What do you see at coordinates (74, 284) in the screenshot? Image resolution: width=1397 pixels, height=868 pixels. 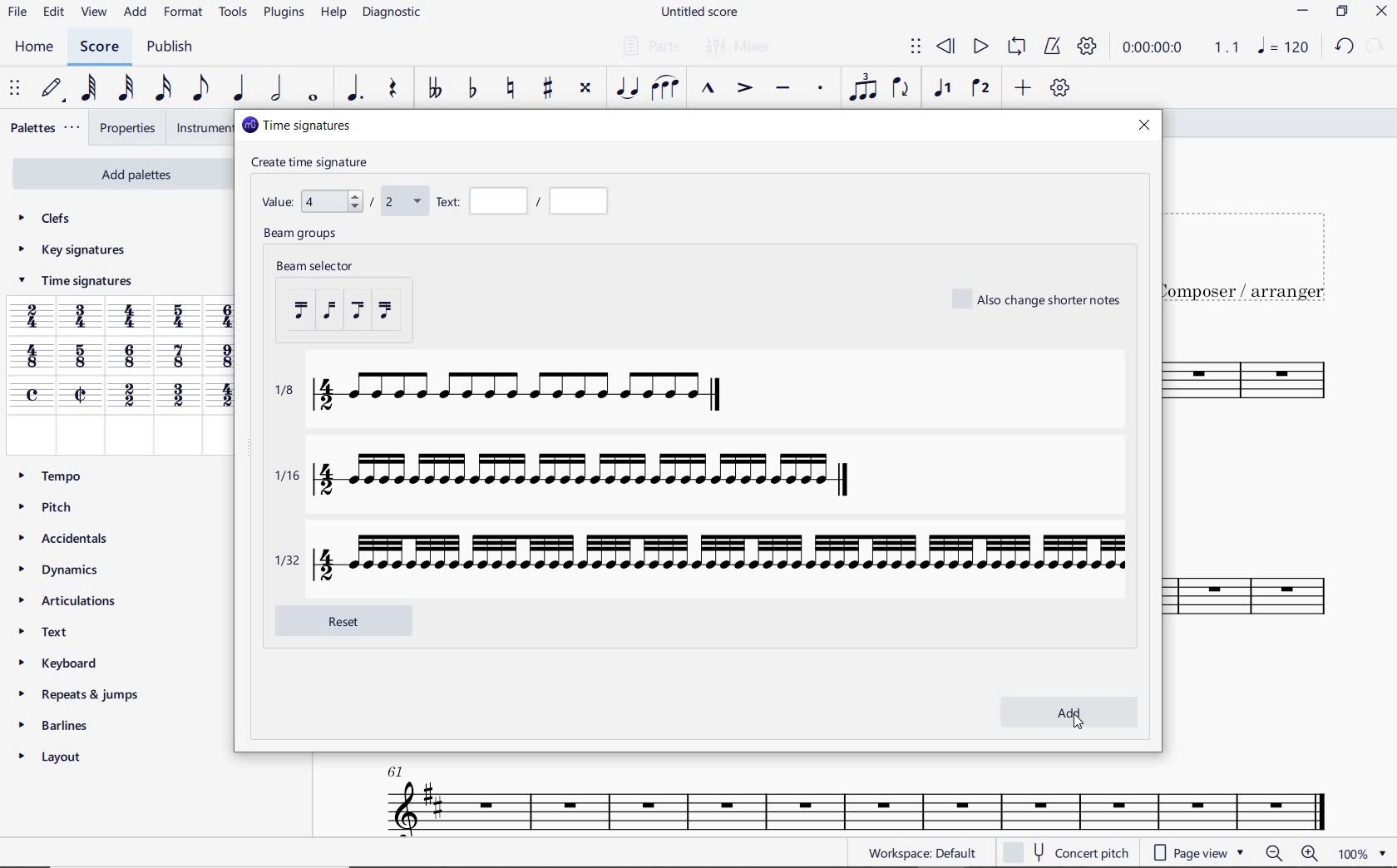 I see `TIME SIGNATURES` at bounding box center [74, 284].